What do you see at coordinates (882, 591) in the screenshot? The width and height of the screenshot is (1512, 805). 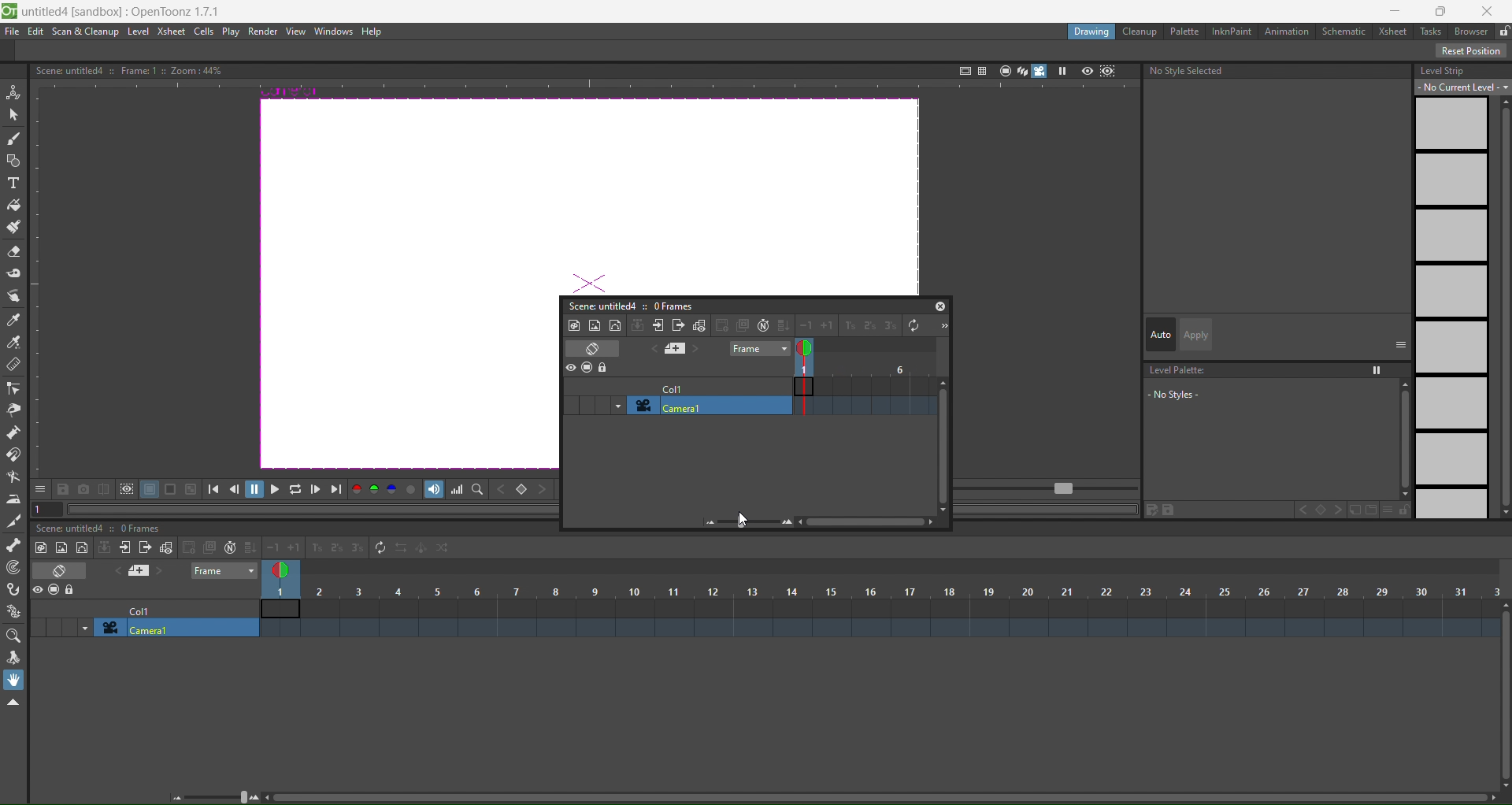 I see `column` at bounding box center [882, 591].